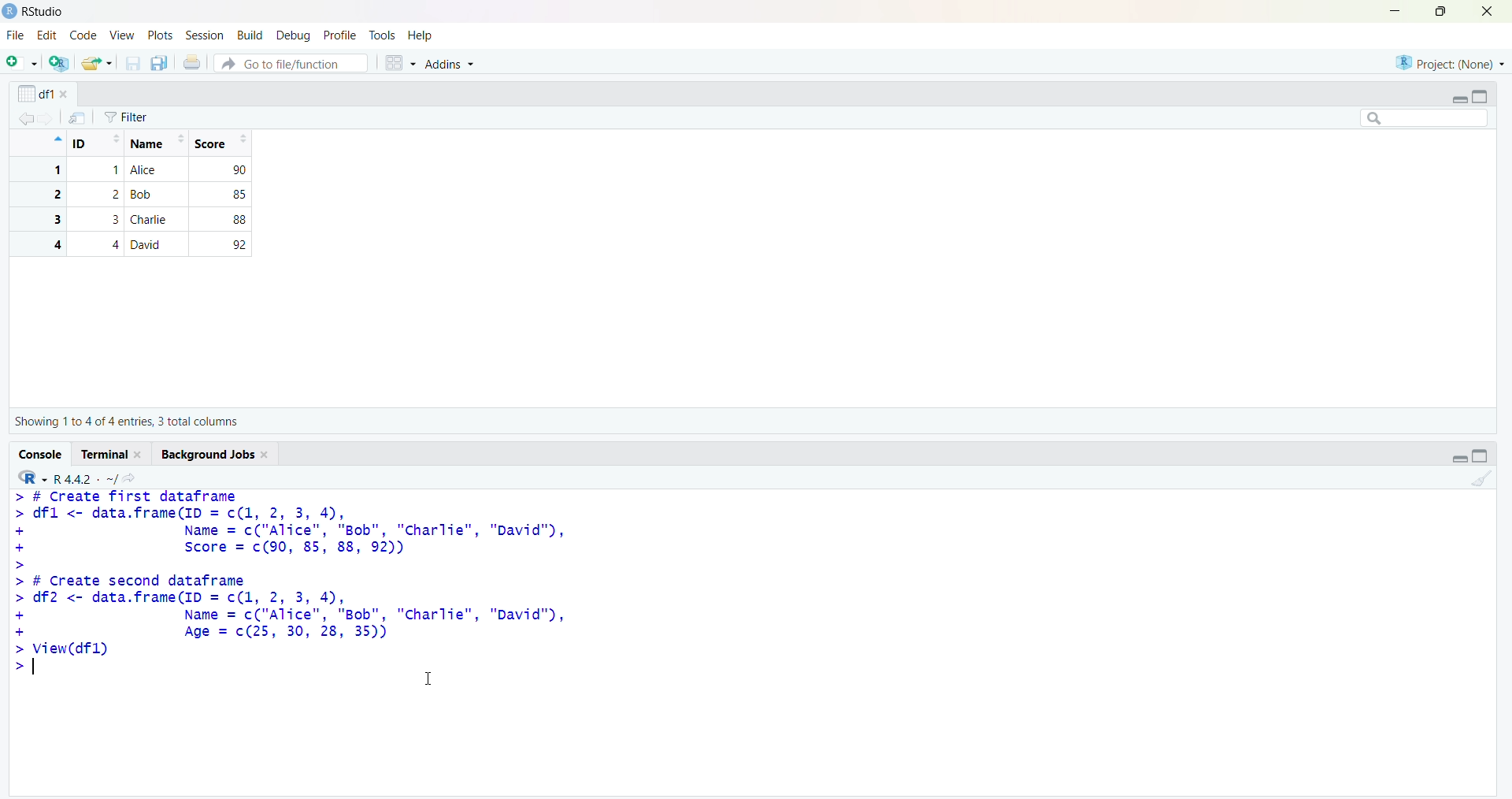  I want to click on close, so click(1488, 11).